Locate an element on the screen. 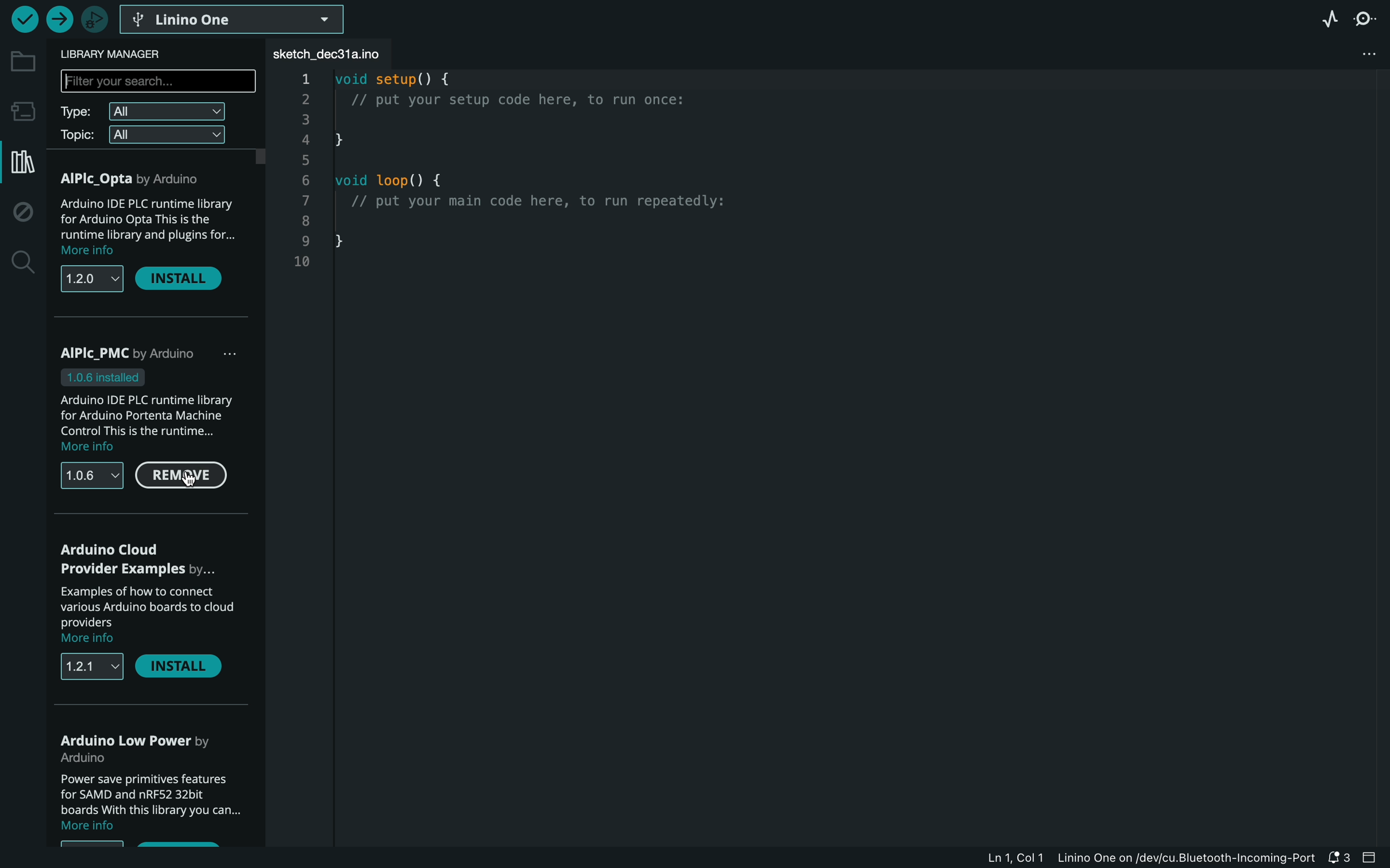 The height and width of the screenshot is (868, 1390). board manager is located at coordinates (21, 110).